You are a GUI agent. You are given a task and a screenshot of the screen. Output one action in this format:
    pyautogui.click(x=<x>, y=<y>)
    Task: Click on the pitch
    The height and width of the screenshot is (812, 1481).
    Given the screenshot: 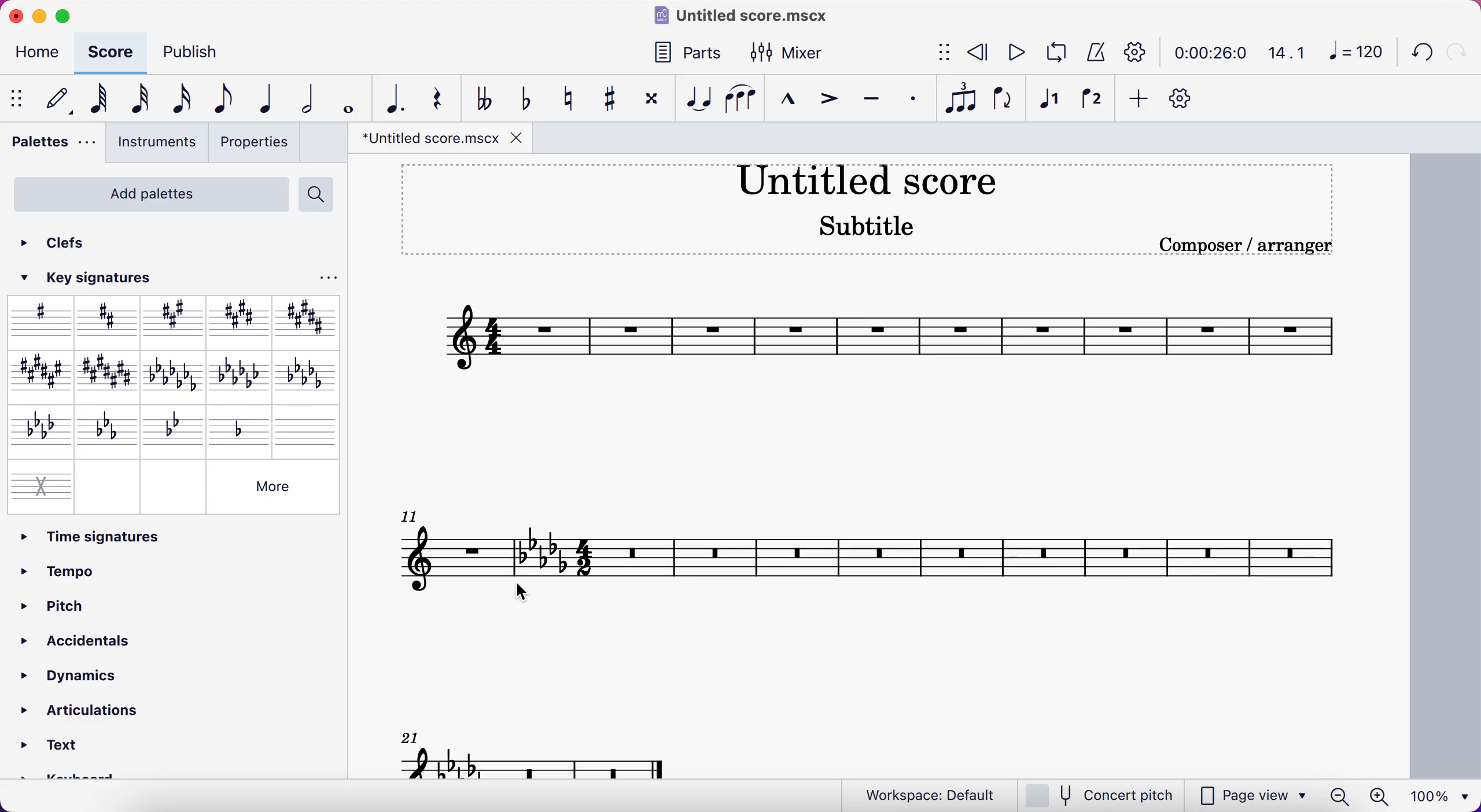 What is the action you would take?
    pyautogui.click(x=116, y=604)
    